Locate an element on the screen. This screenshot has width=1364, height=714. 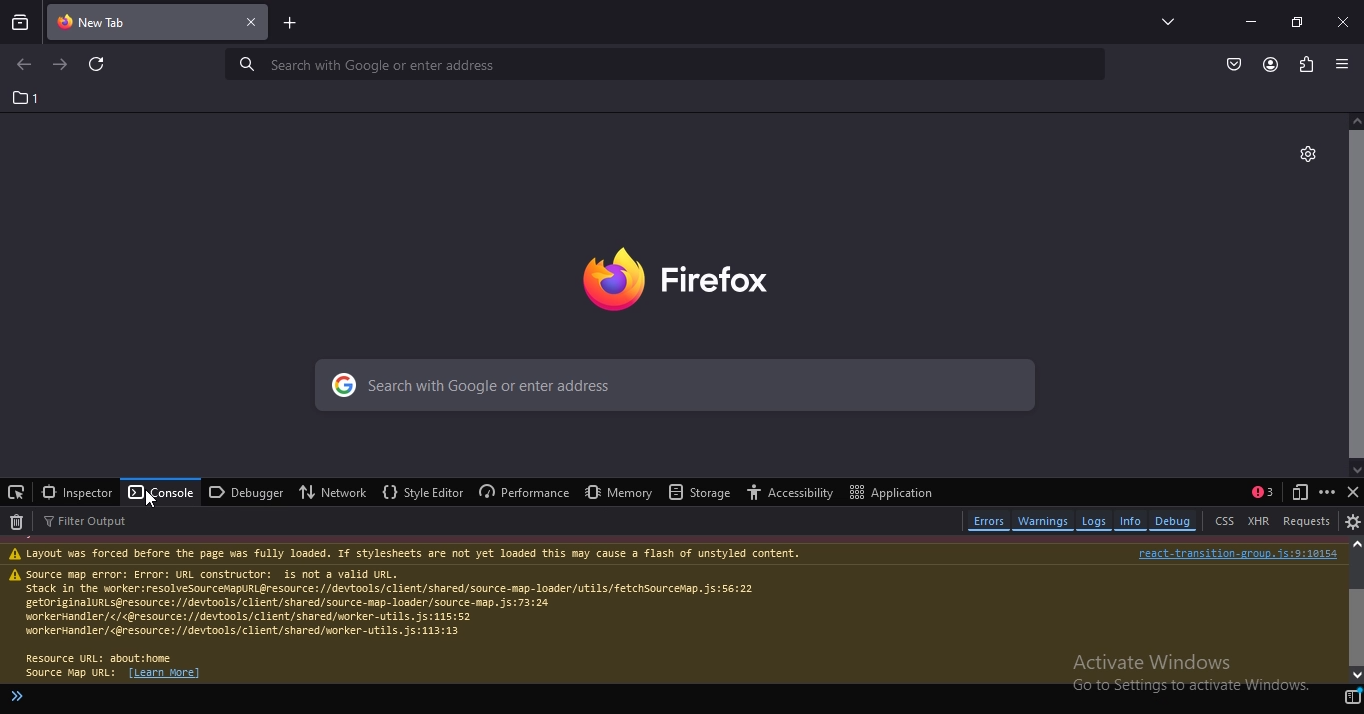
personalise this tab is located at coordinates (1308, 154).